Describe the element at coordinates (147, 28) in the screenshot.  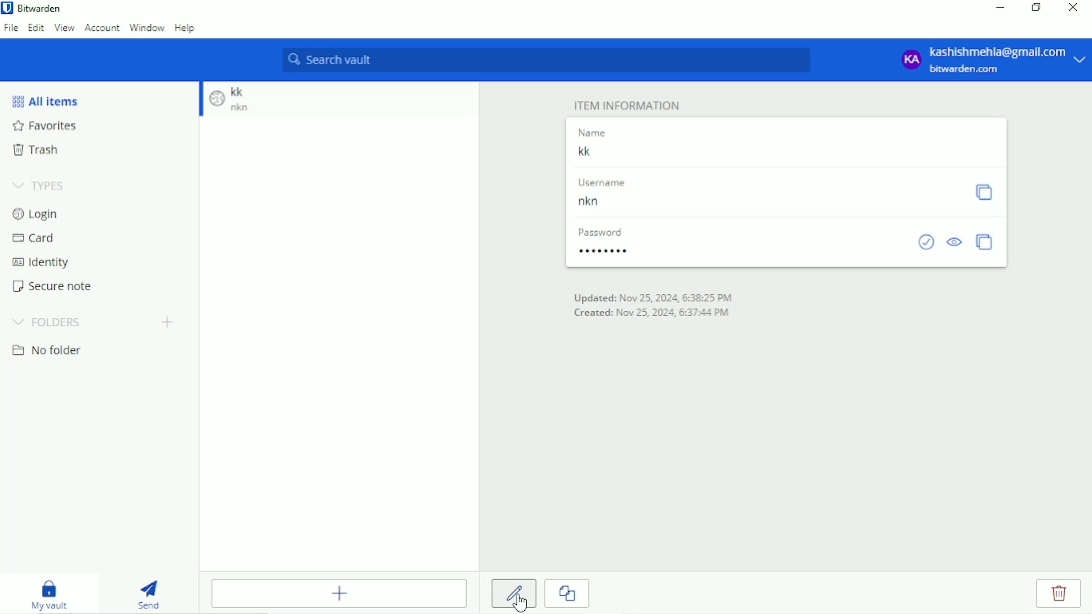
I see `Window` at that location.